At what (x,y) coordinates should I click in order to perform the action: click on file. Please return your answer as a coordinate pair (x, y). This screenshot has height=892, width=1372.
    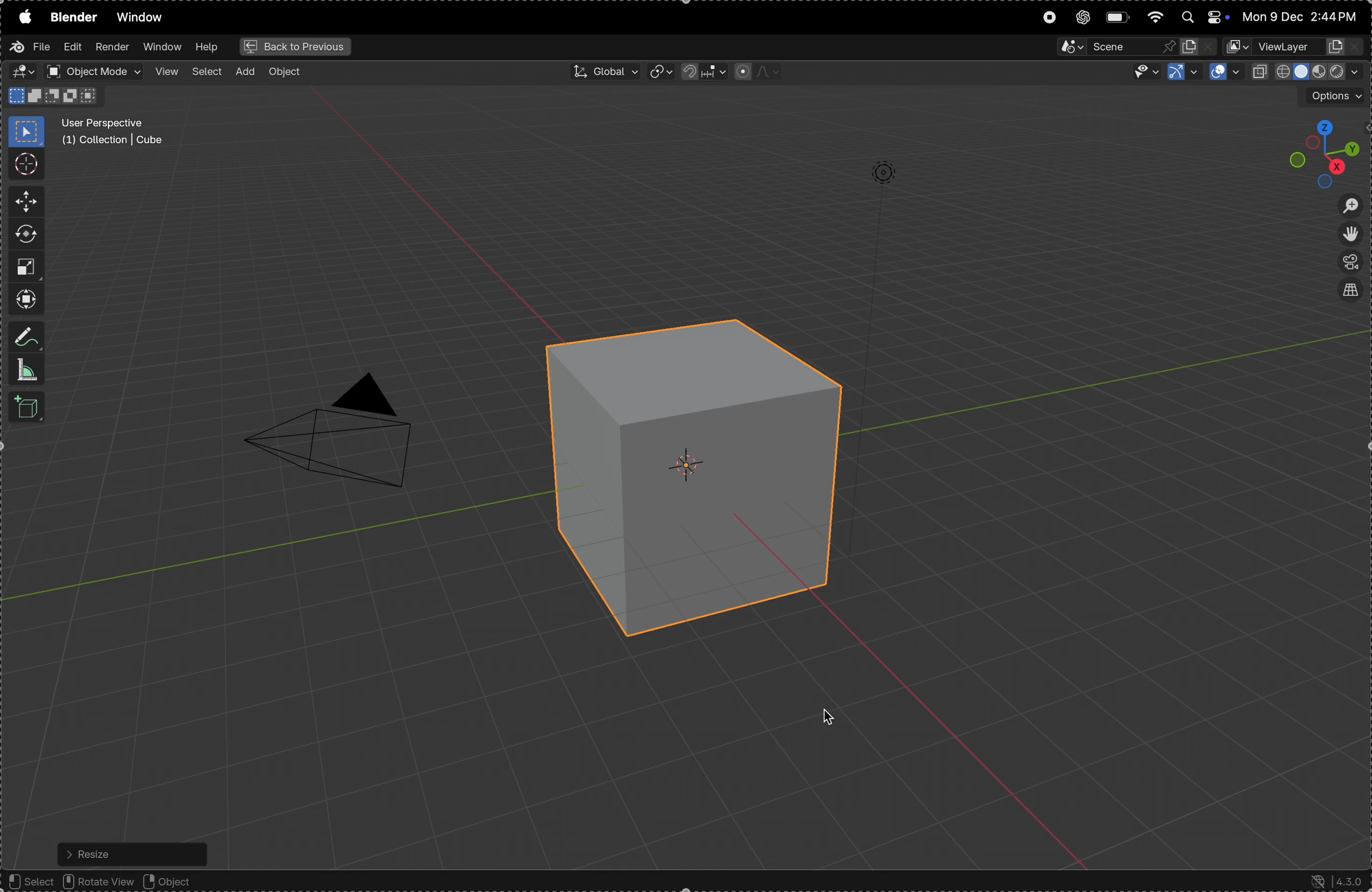
    Looking at the image, I should click on (32, 50).